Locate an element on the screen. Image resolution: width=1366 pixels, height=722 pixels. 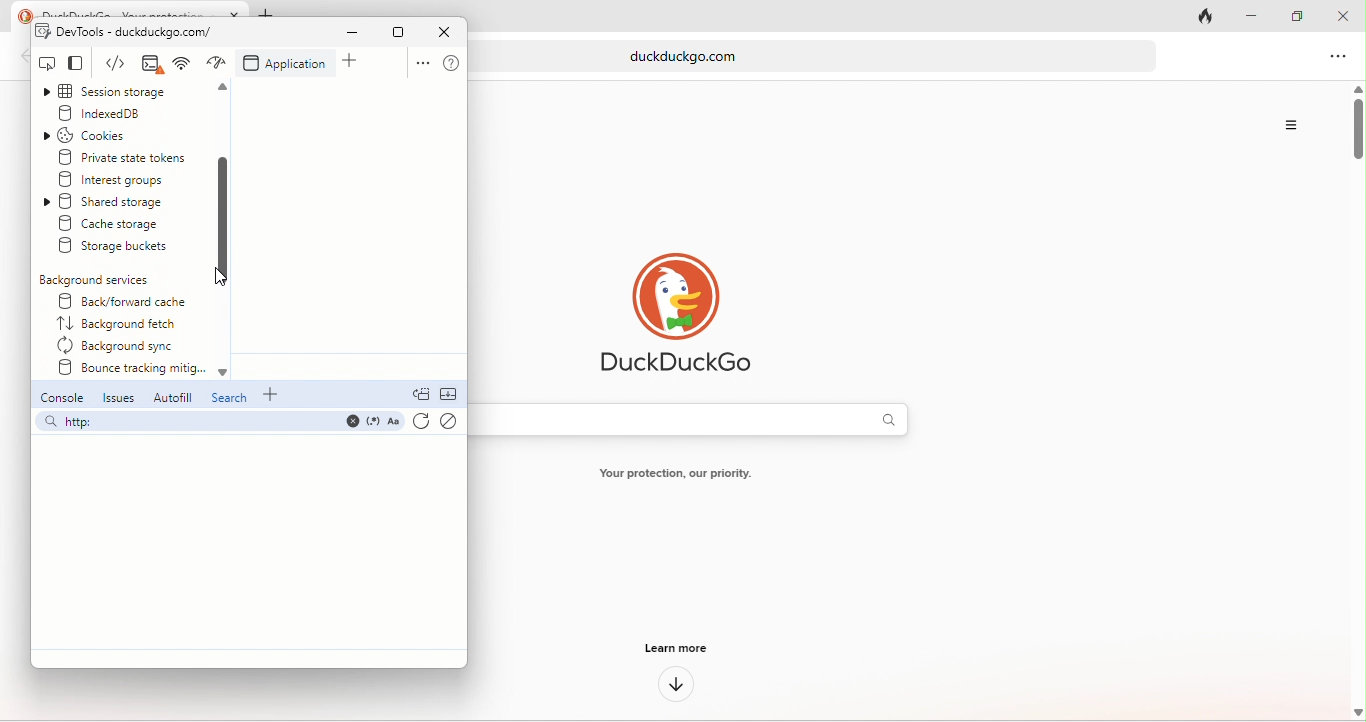
private state tokens is located at coordinates (126, 158).